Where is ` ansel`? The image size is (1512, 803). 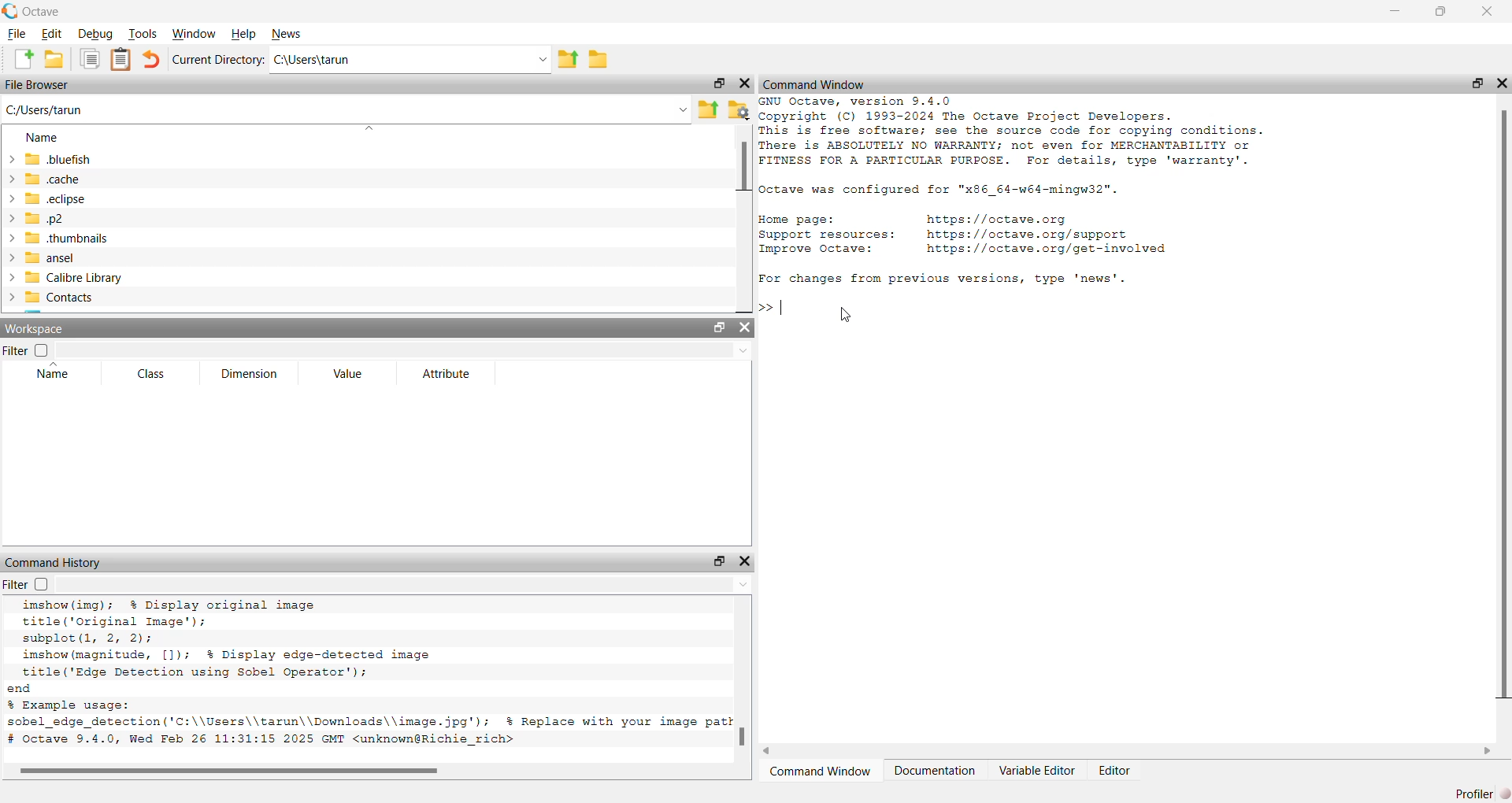
 ansel is located at coordinates (46, 257).